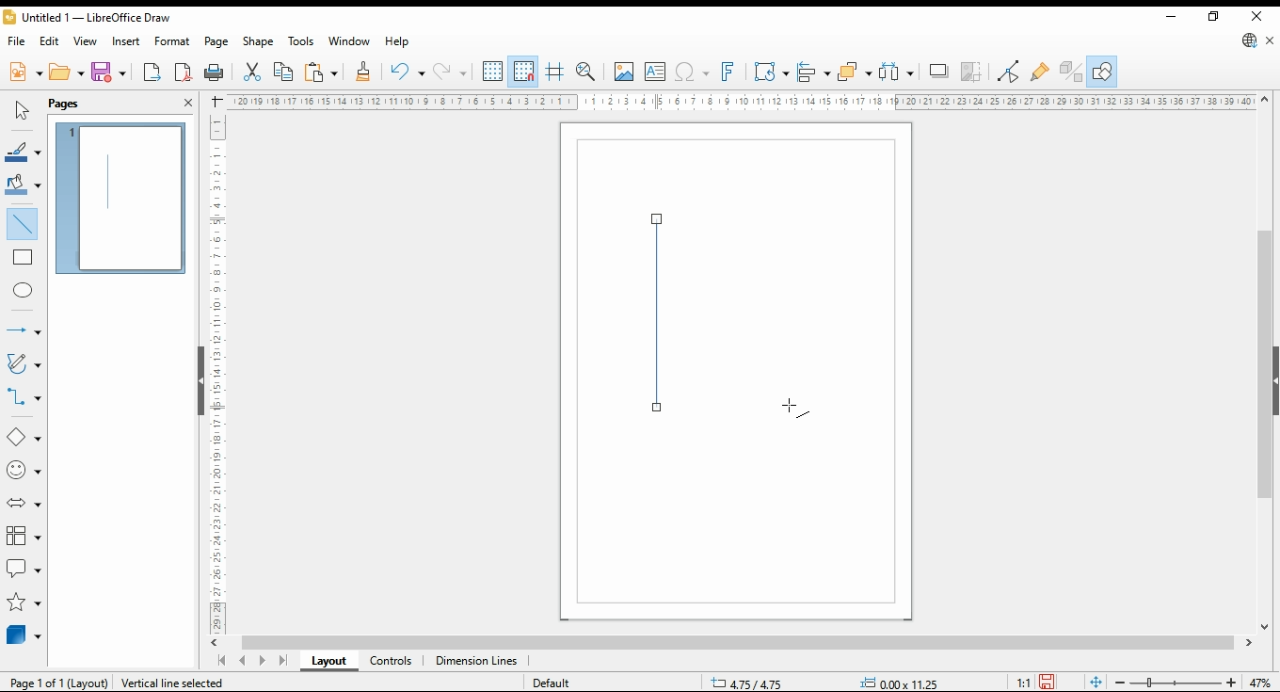  I want to click on move up, so click(1265, 100).